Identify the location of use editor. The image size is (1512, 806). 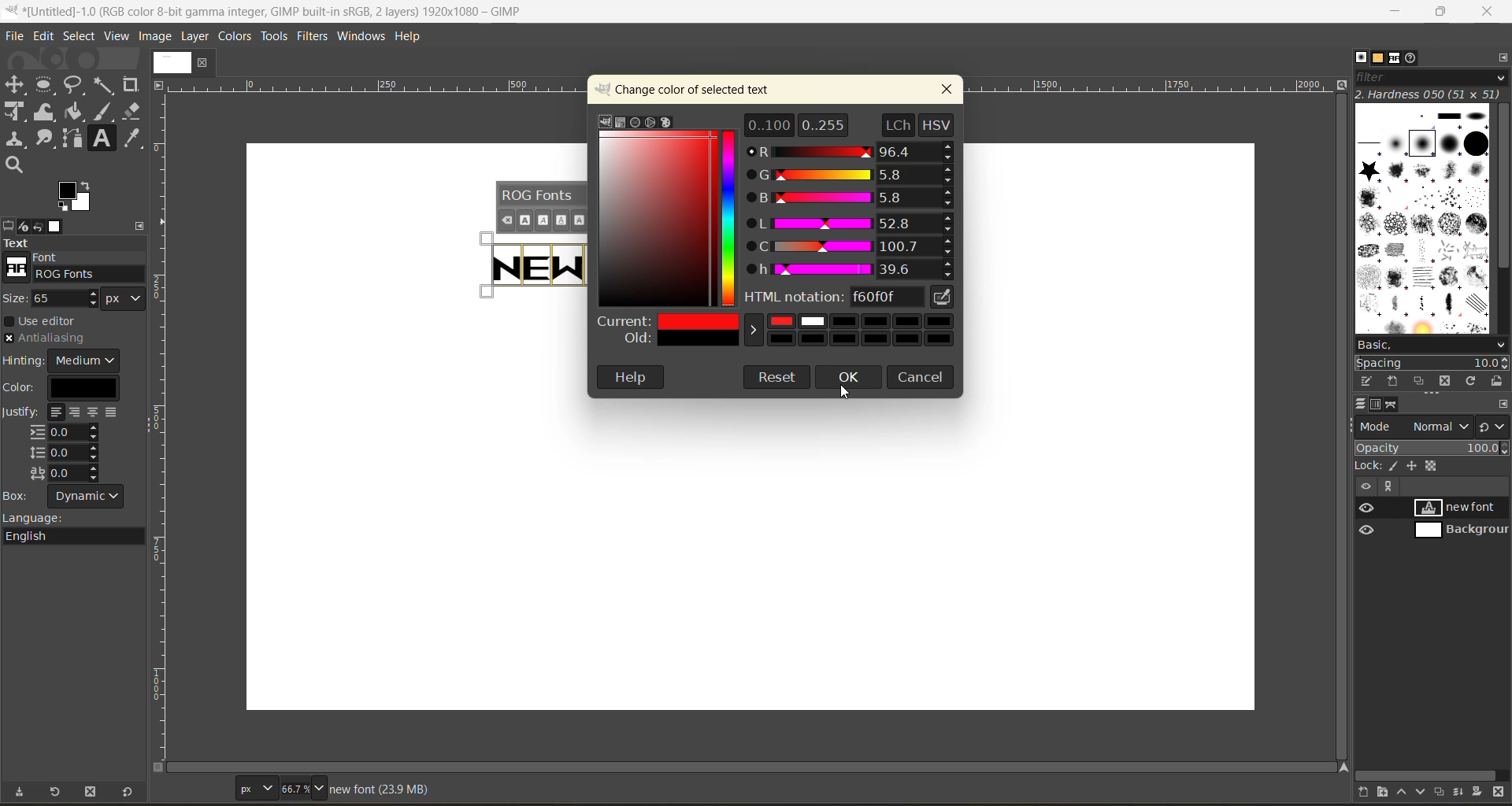
(48, 321).